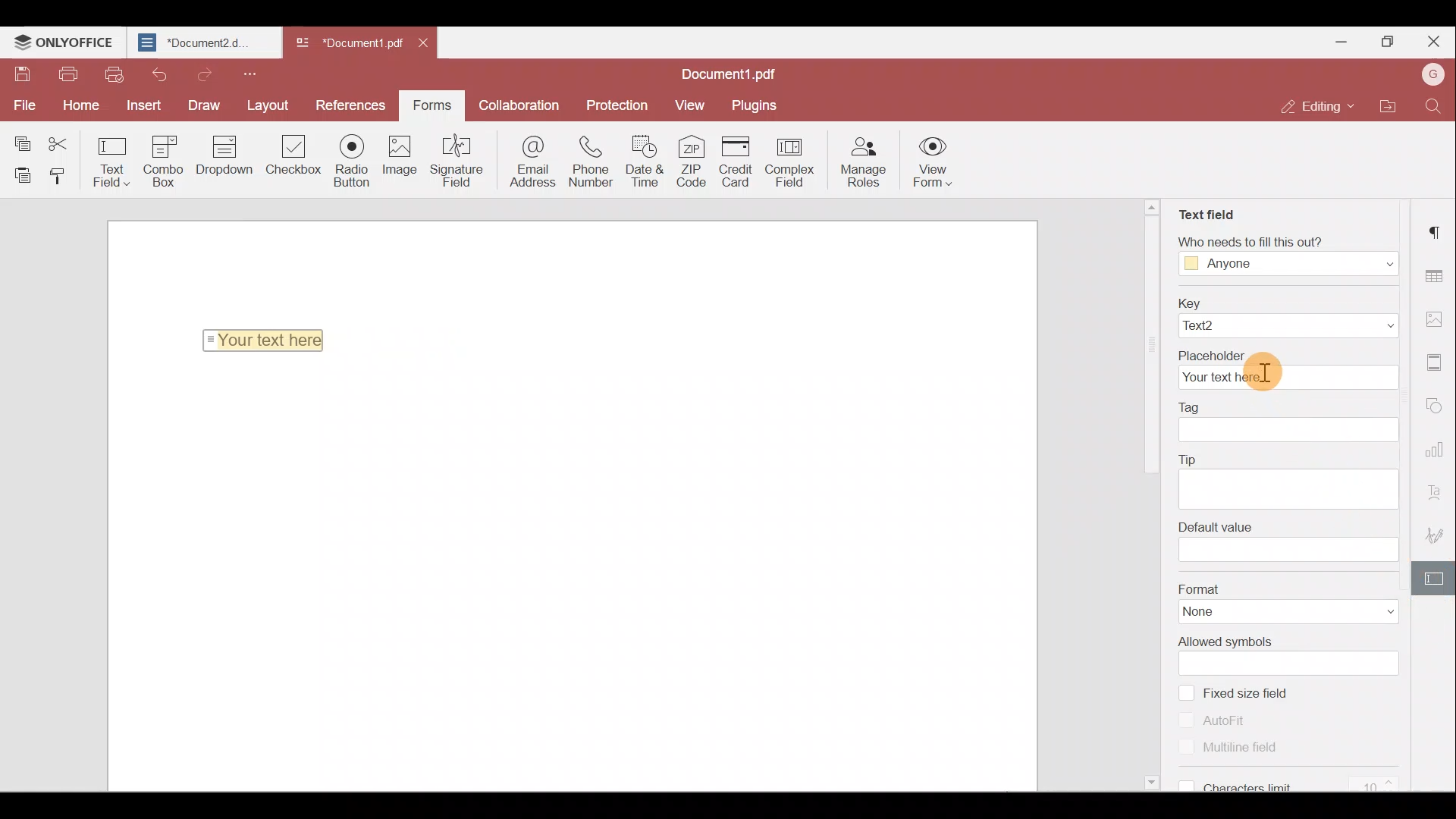  Describe the element at coordinates (1215, 525) in the screenshot. I see `Default value` at that location.